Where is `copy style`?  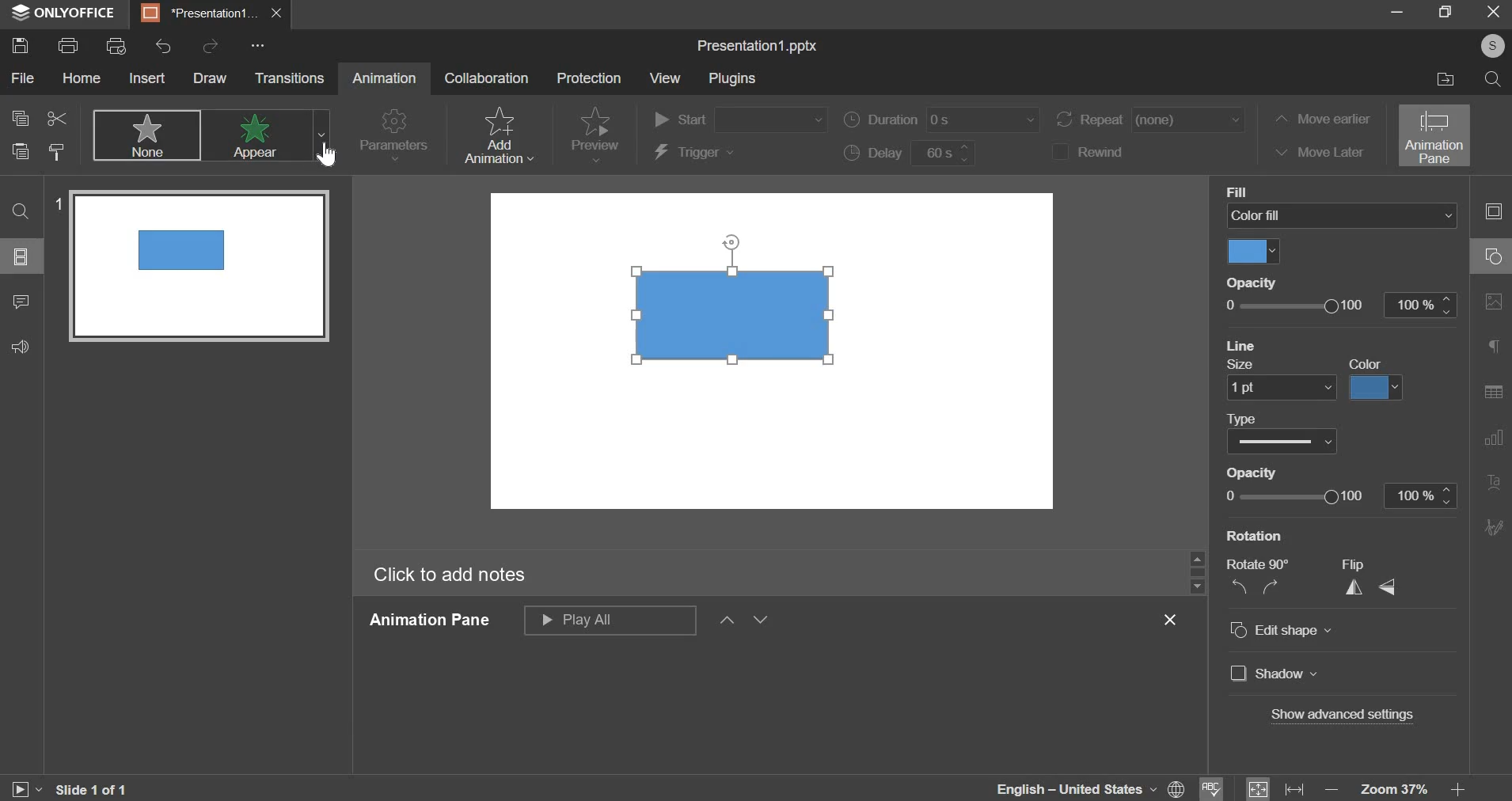
copy style is located at coordinates (59, 152).